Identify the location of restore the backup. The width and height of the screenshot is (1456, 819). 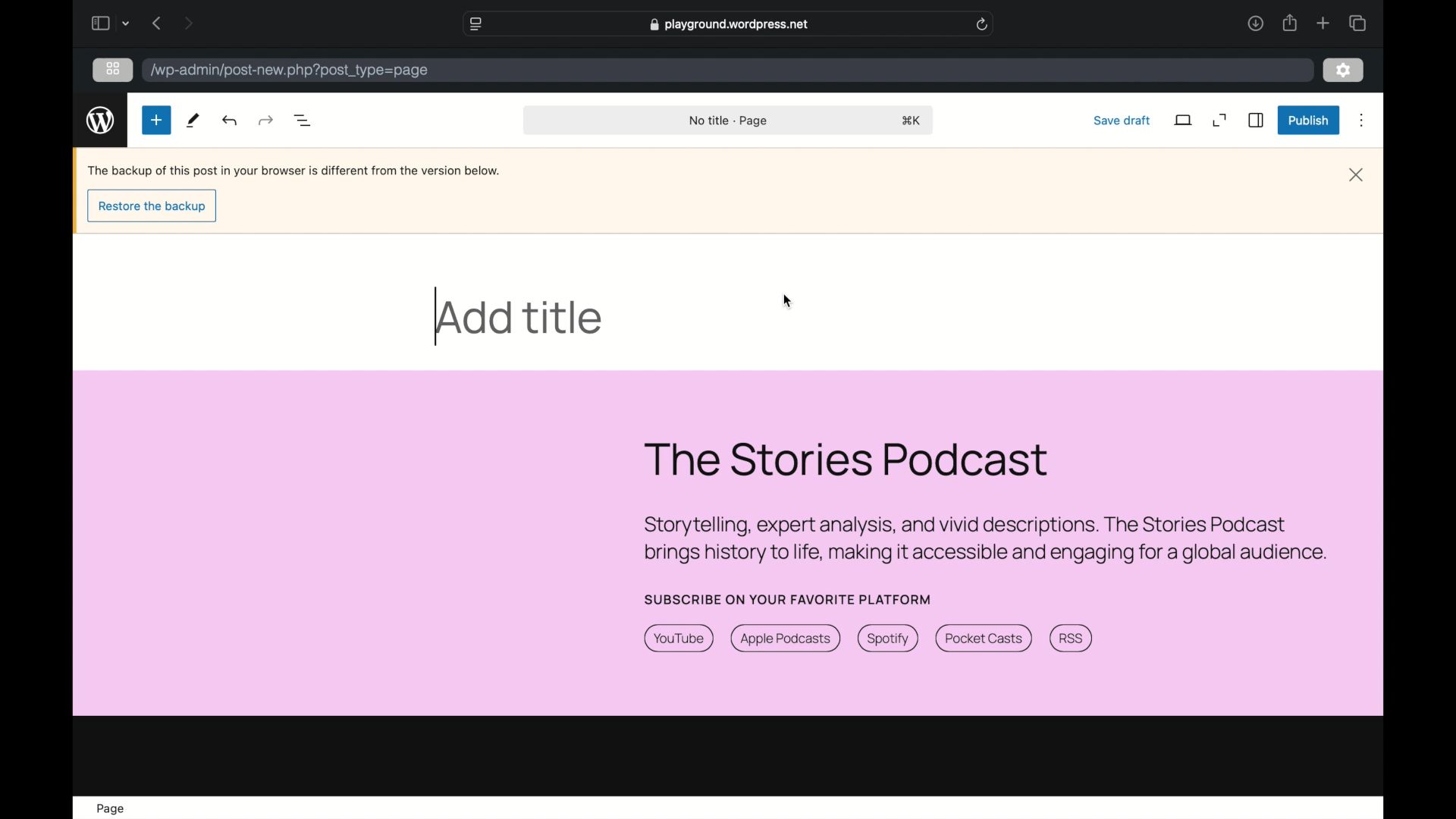
(154, 207).